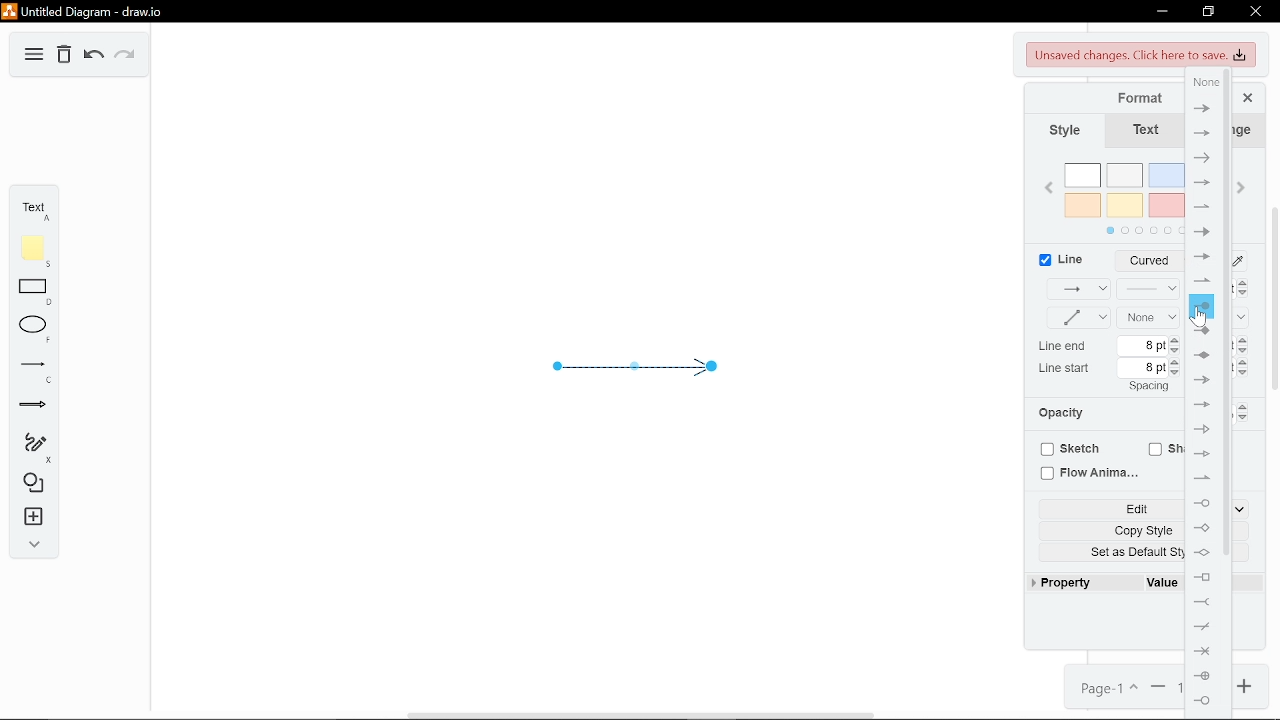 The width and height of the screenshot is (1280, 720). Describe the element at coordinates (1127, 202) in the screenshot. I see `Colors` at that location.